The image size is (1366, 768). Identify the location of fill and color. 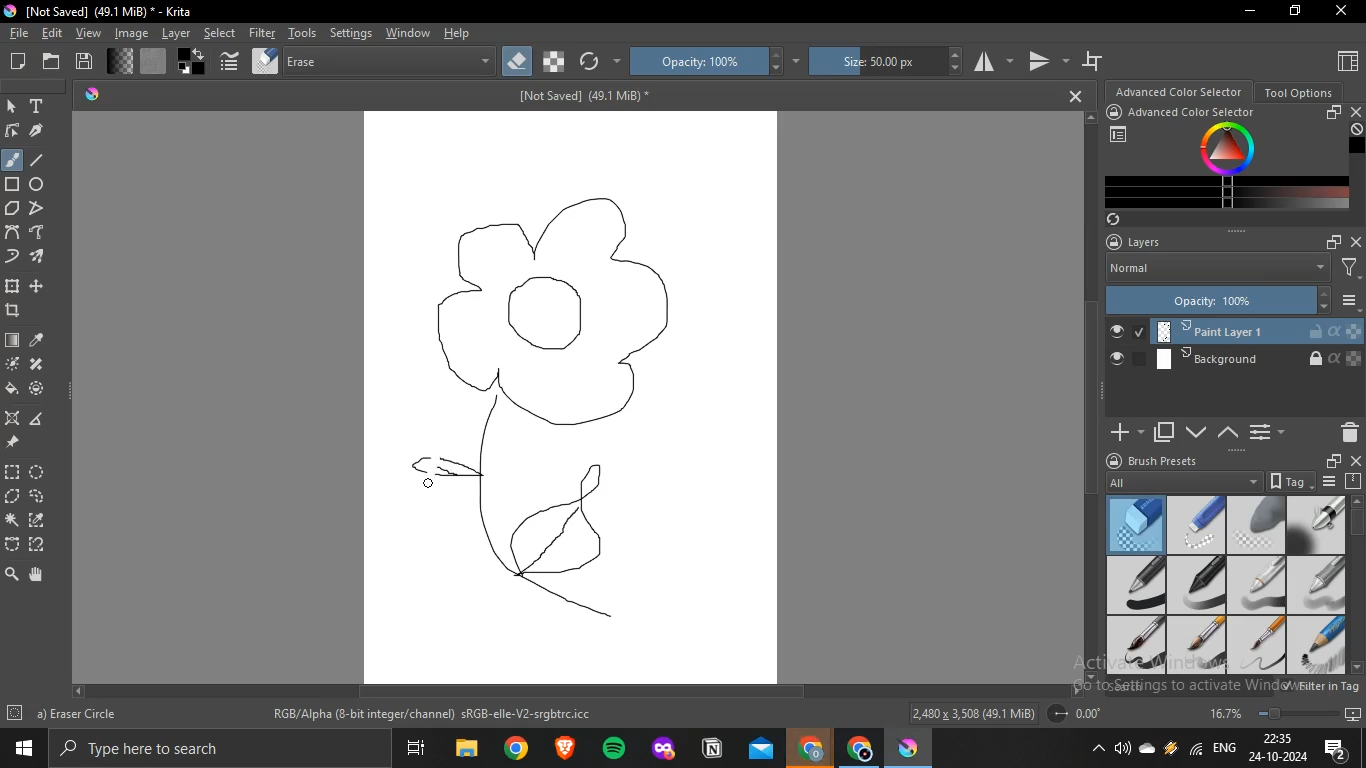
(38, 389).